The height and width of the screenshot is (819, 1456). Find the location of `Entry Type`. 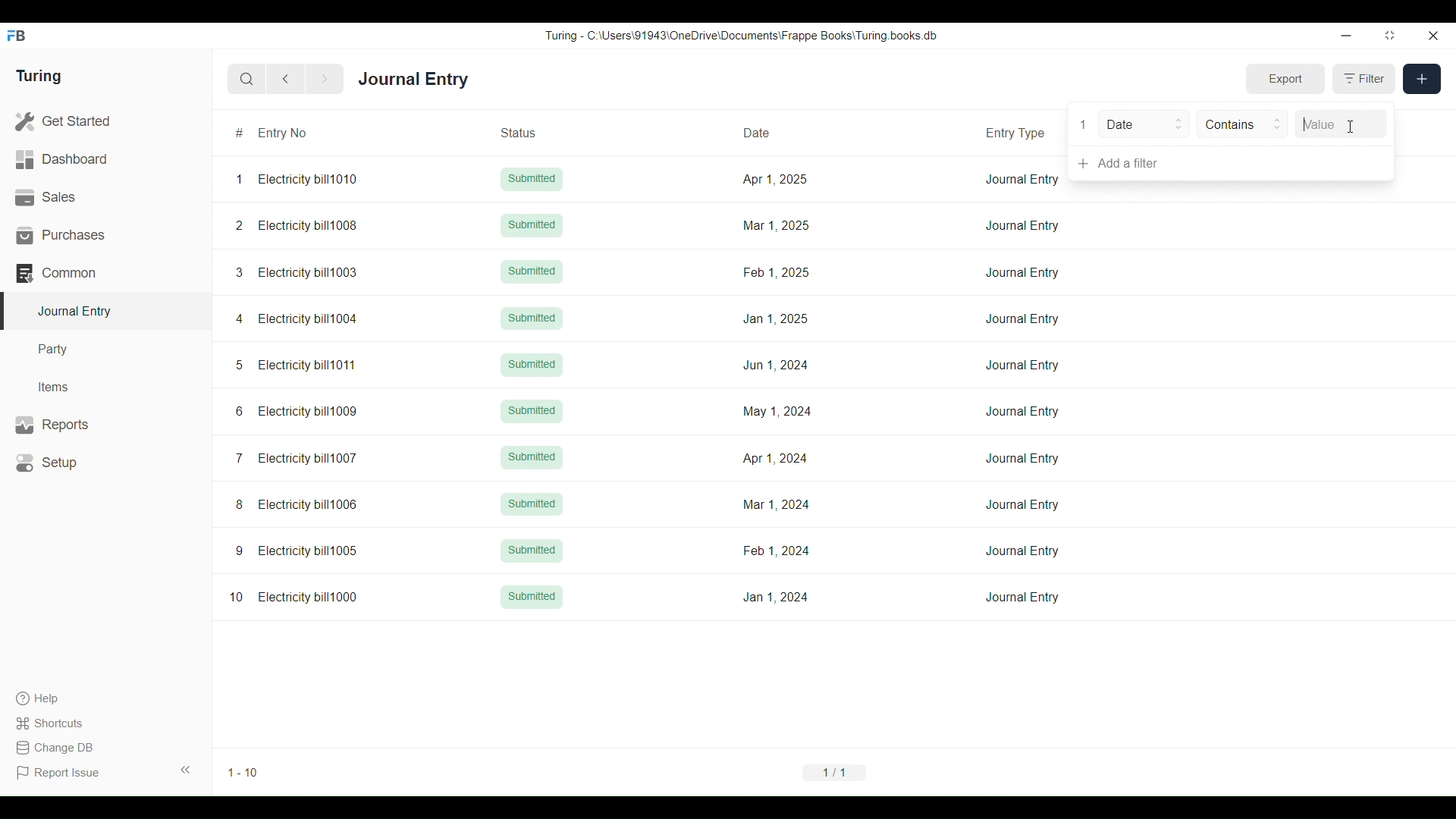

Entry Type is located at coordinates (1018, 131).